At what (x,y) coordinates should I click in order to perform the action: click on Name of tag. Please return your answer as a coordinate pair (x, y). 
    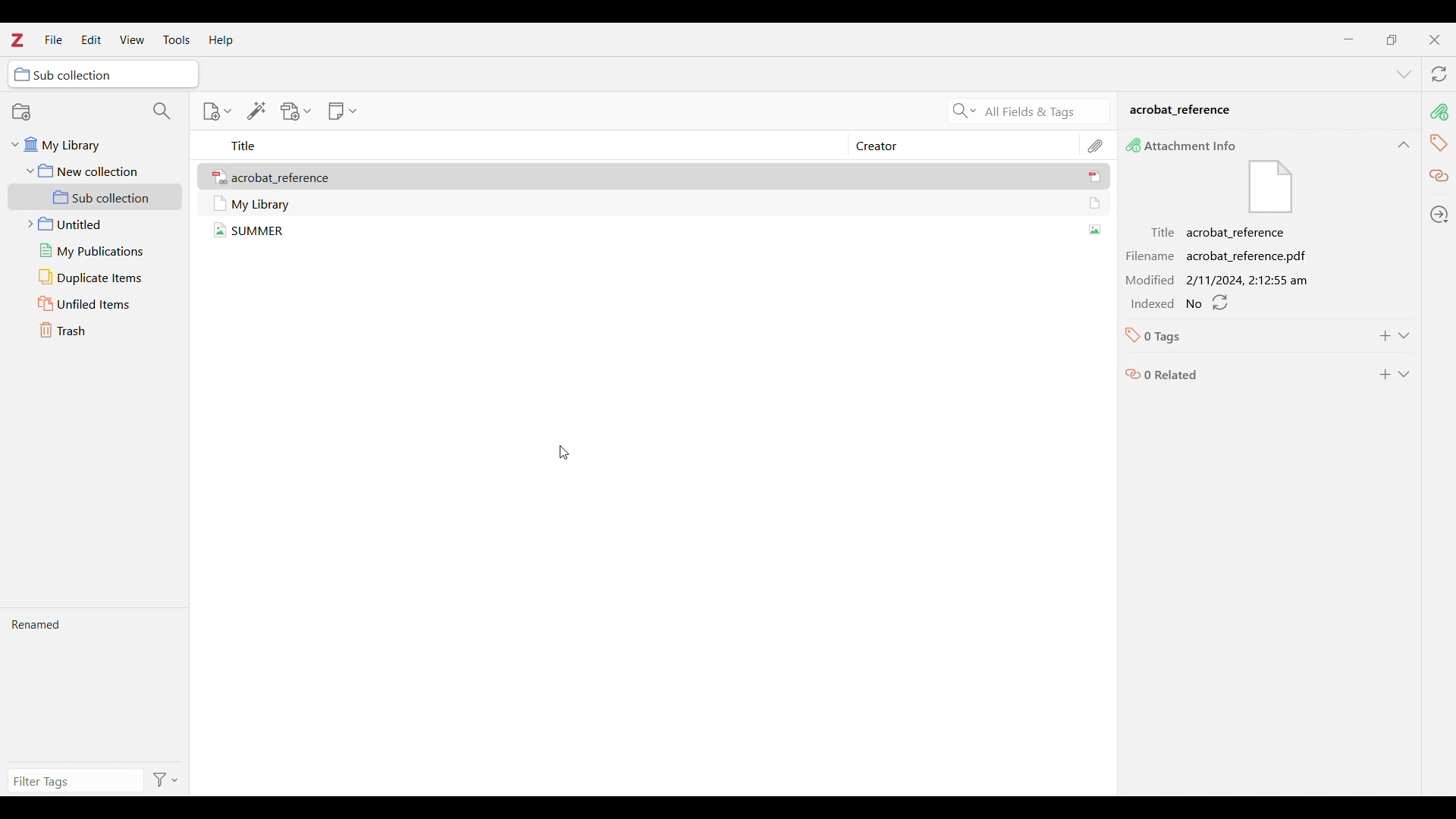
    Looking at the image, I should click on (1167, 335).